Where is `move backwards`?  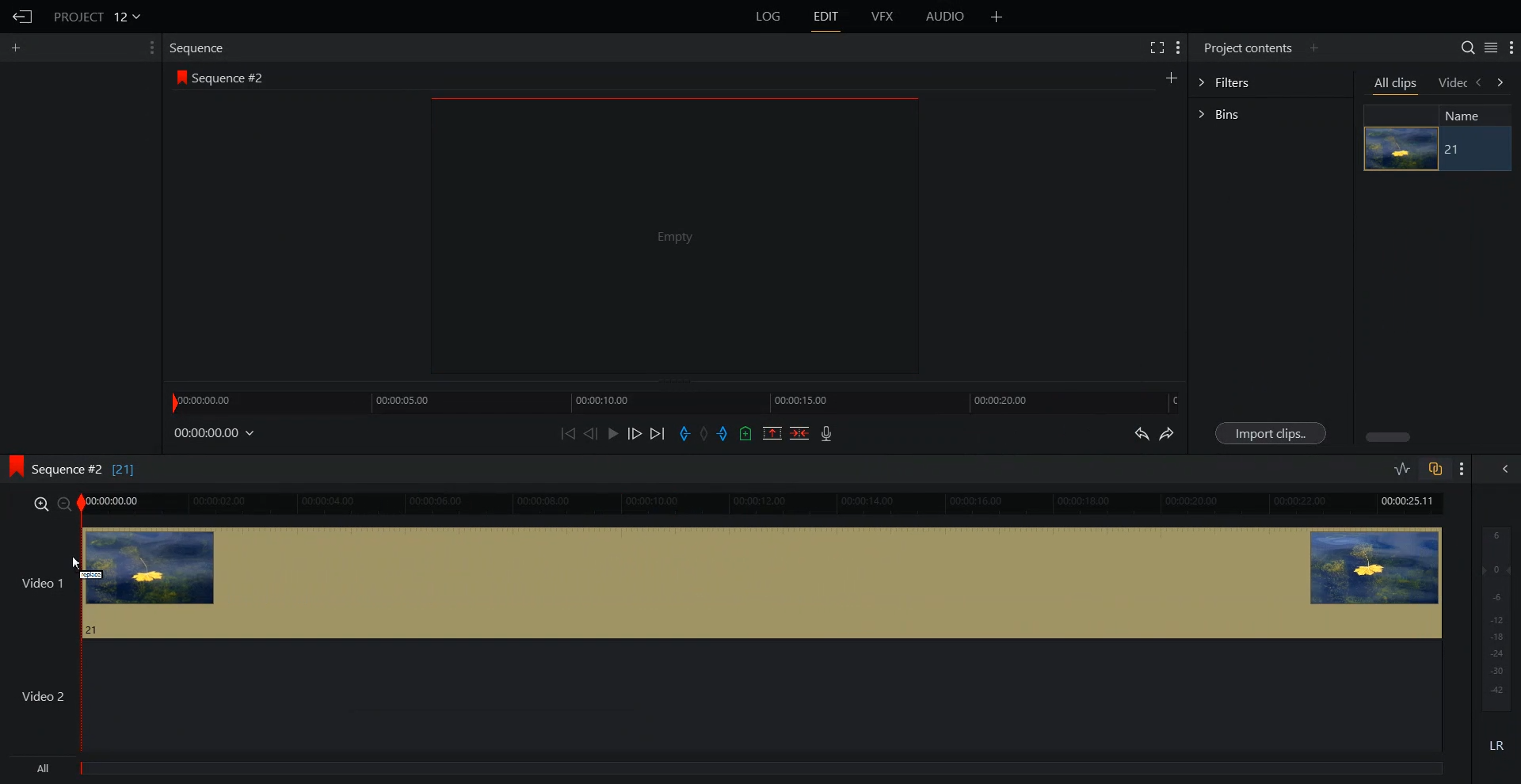
move backwards is located at coordinates (1480, 83).